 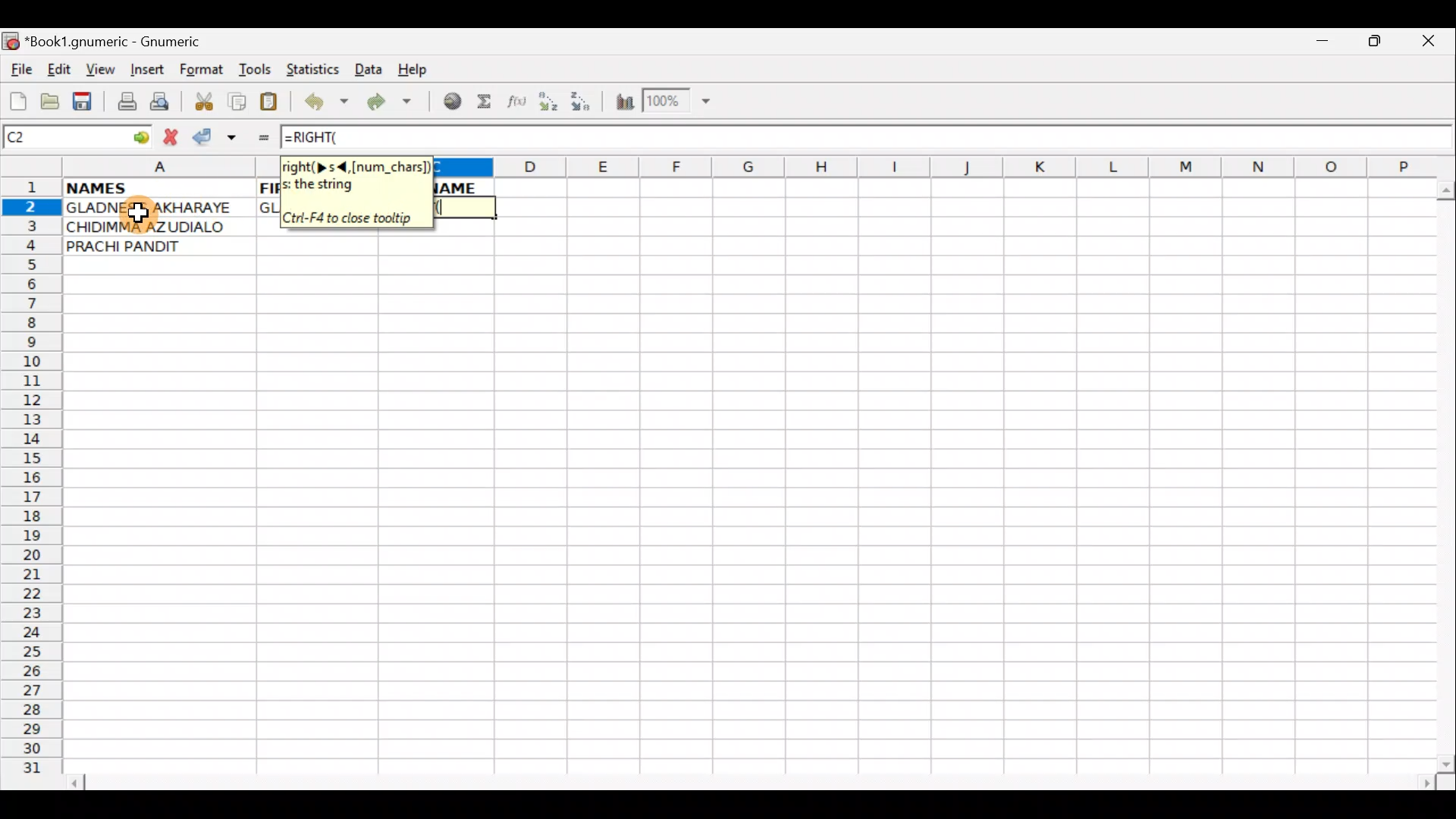 What do you see at coordinates (146, 70) in the screenshot?
I see `Insert` at bounding box center [146, 70].